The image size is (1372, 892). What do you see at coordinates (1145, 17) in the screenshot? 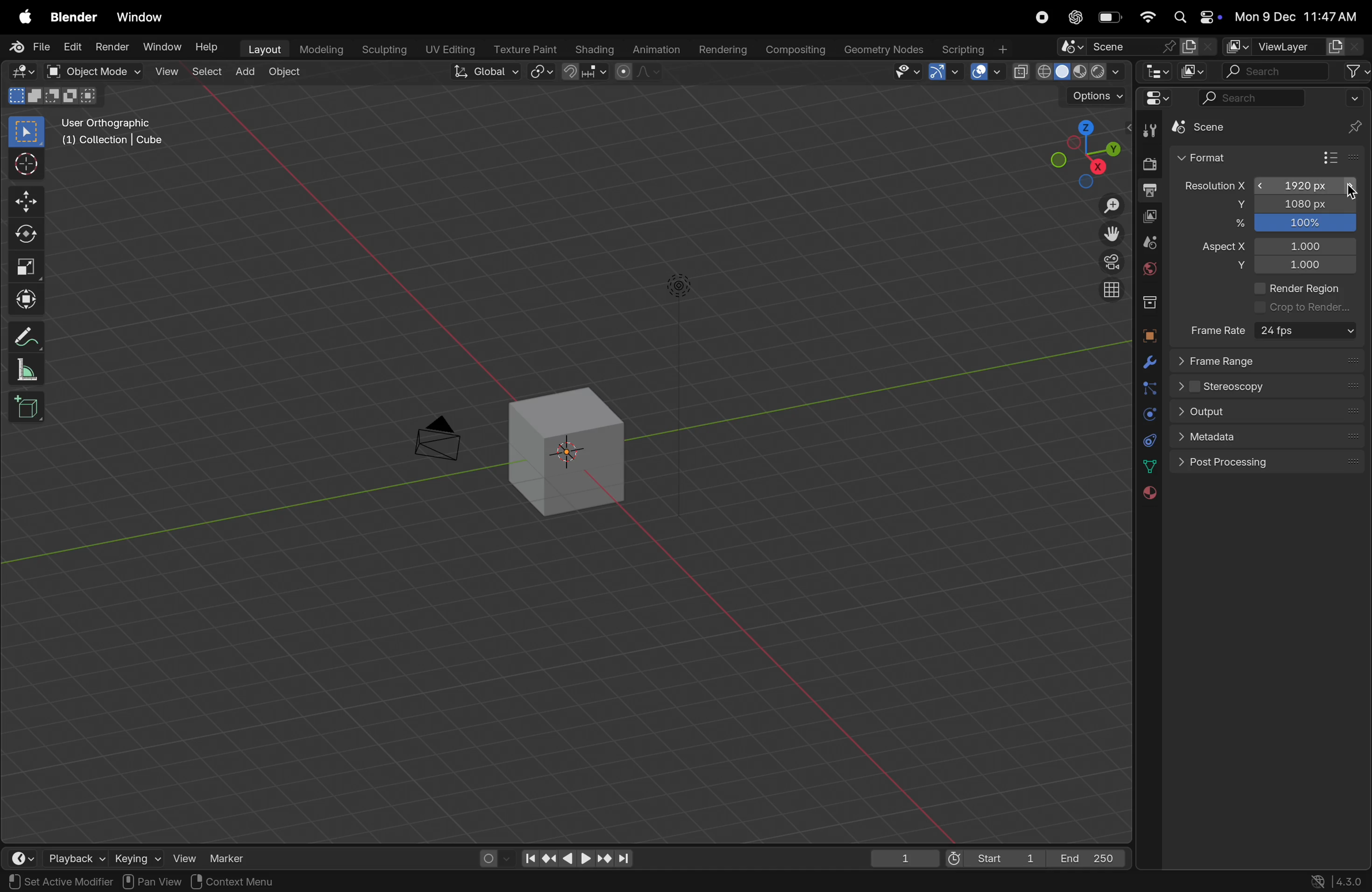
I see `wifi` at bounding box center [1145, 17].